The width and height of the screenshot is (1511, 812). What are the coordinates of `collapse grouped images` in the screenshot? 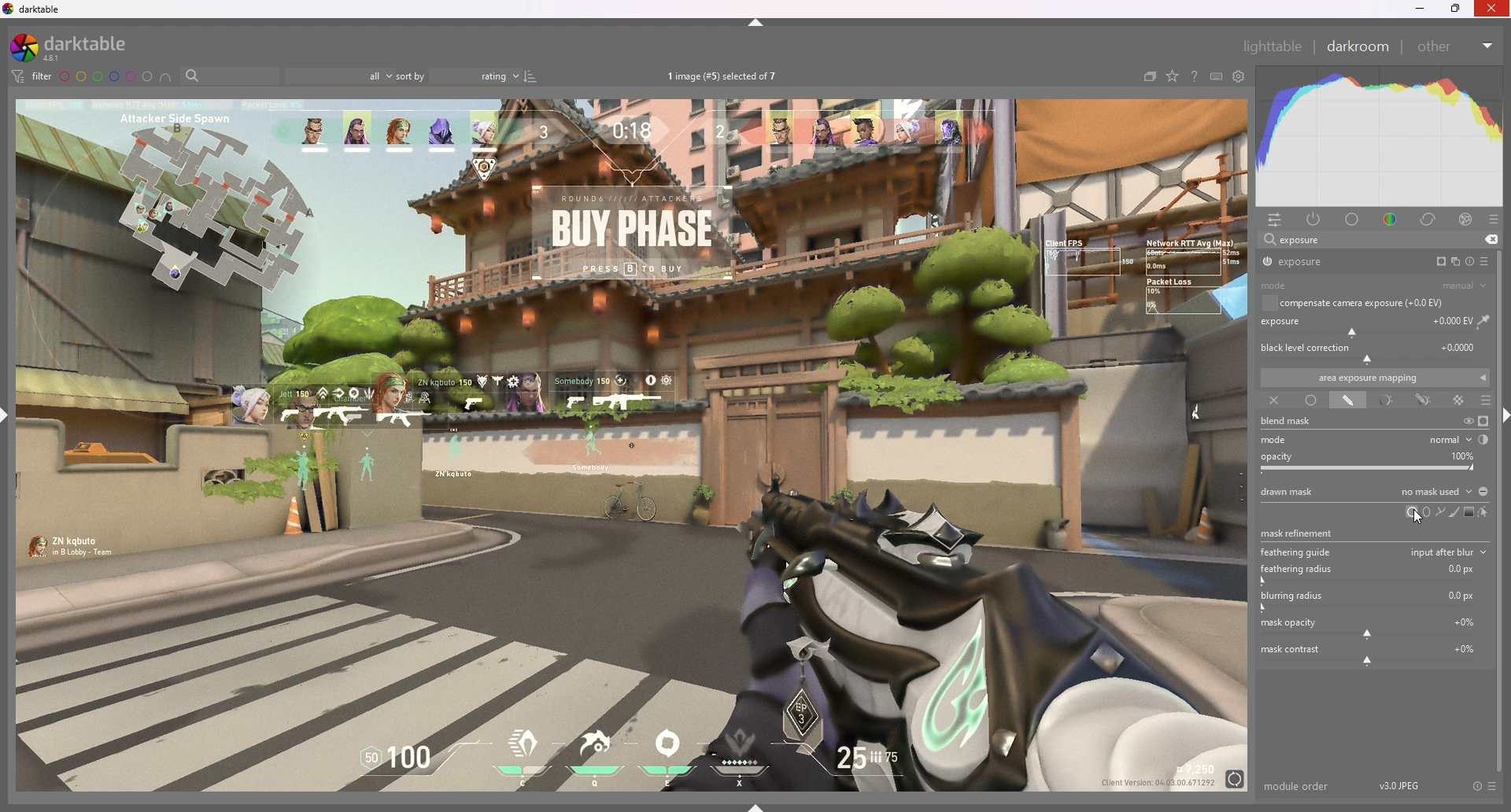 It's located at (1149, 78).